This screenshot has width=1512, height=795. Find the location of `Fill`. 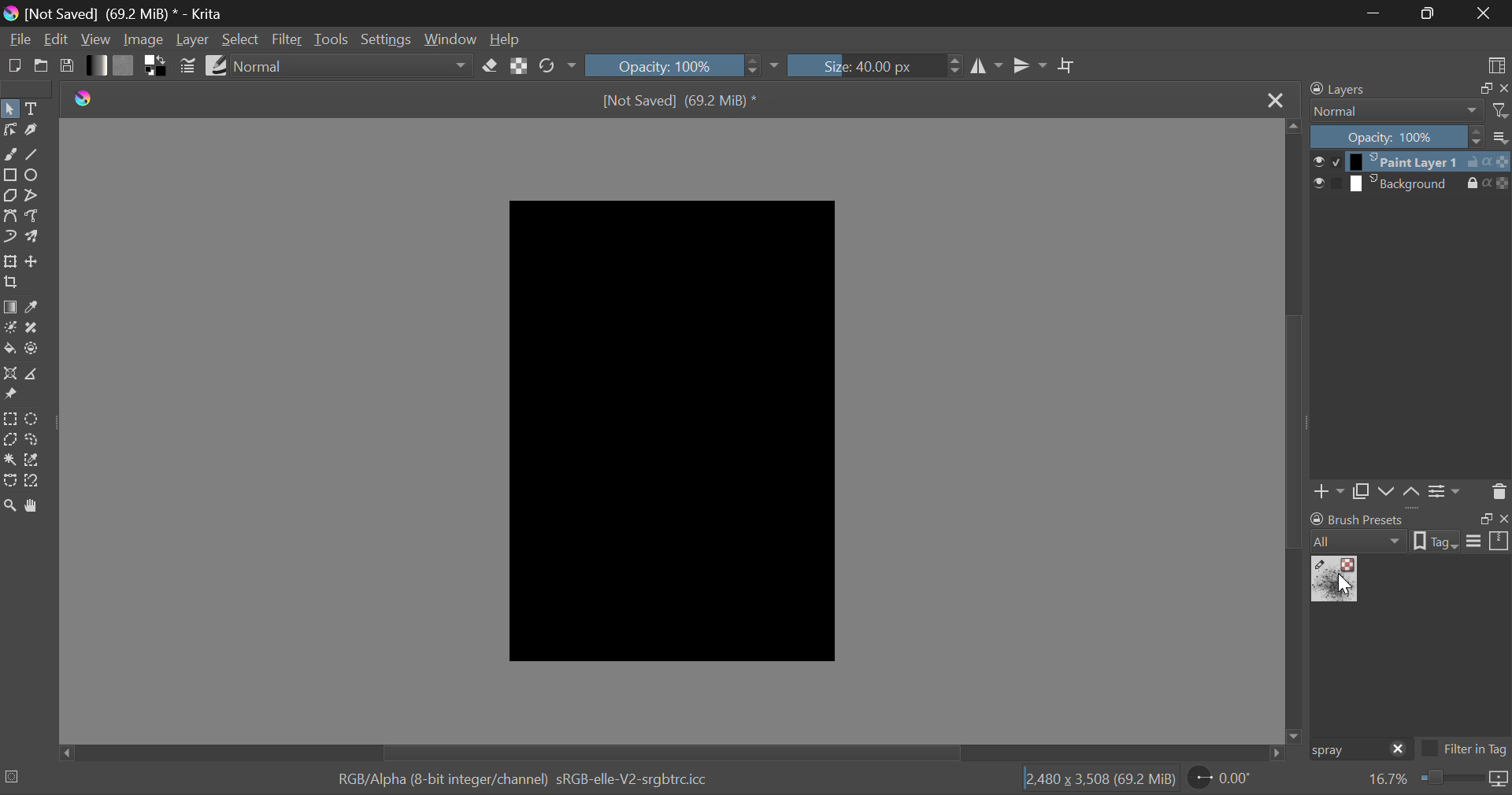

Fill is located at coordinates (9, 349).